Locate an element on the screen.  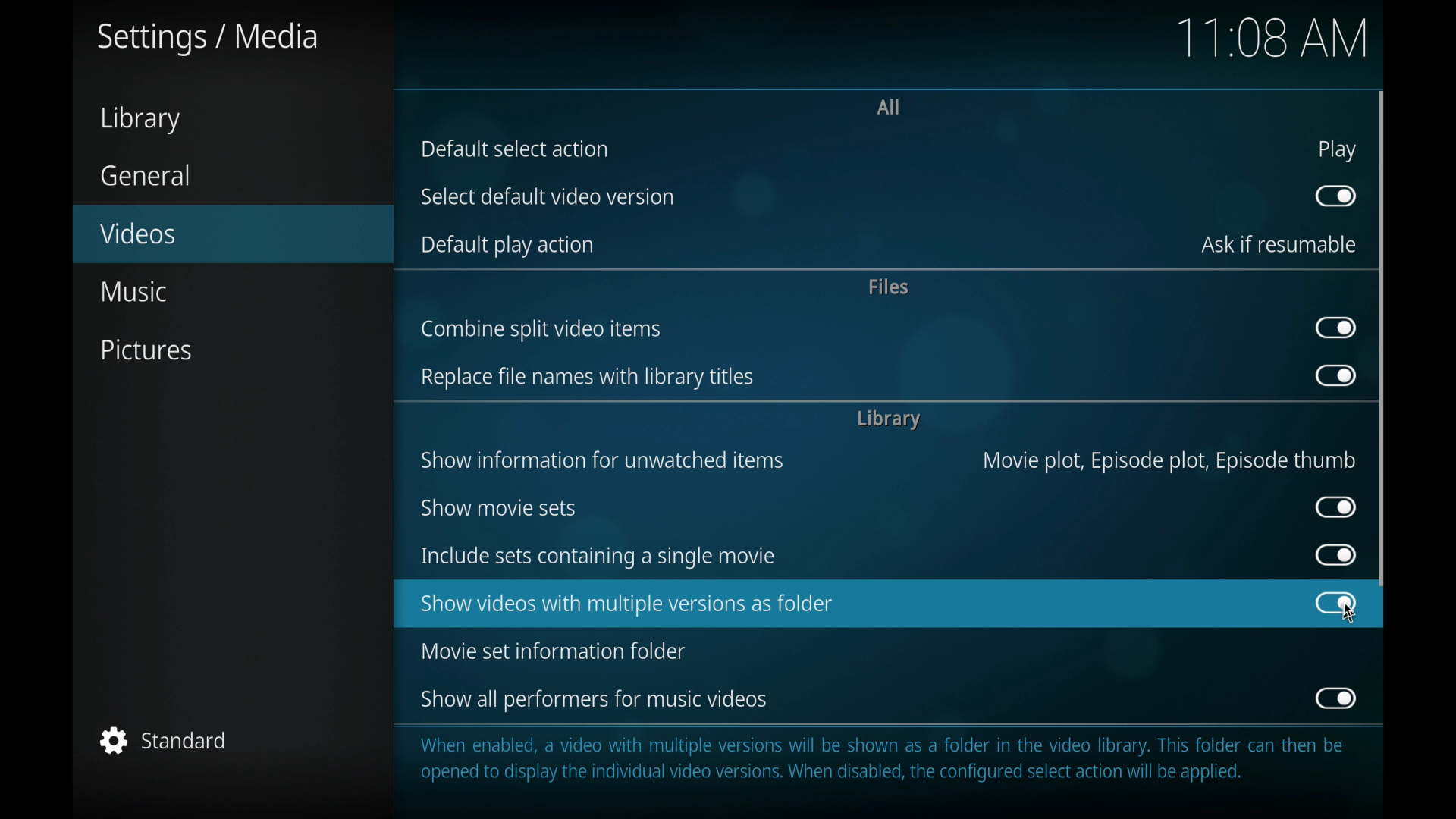
combine split video items is located at coordinates (541, 330).